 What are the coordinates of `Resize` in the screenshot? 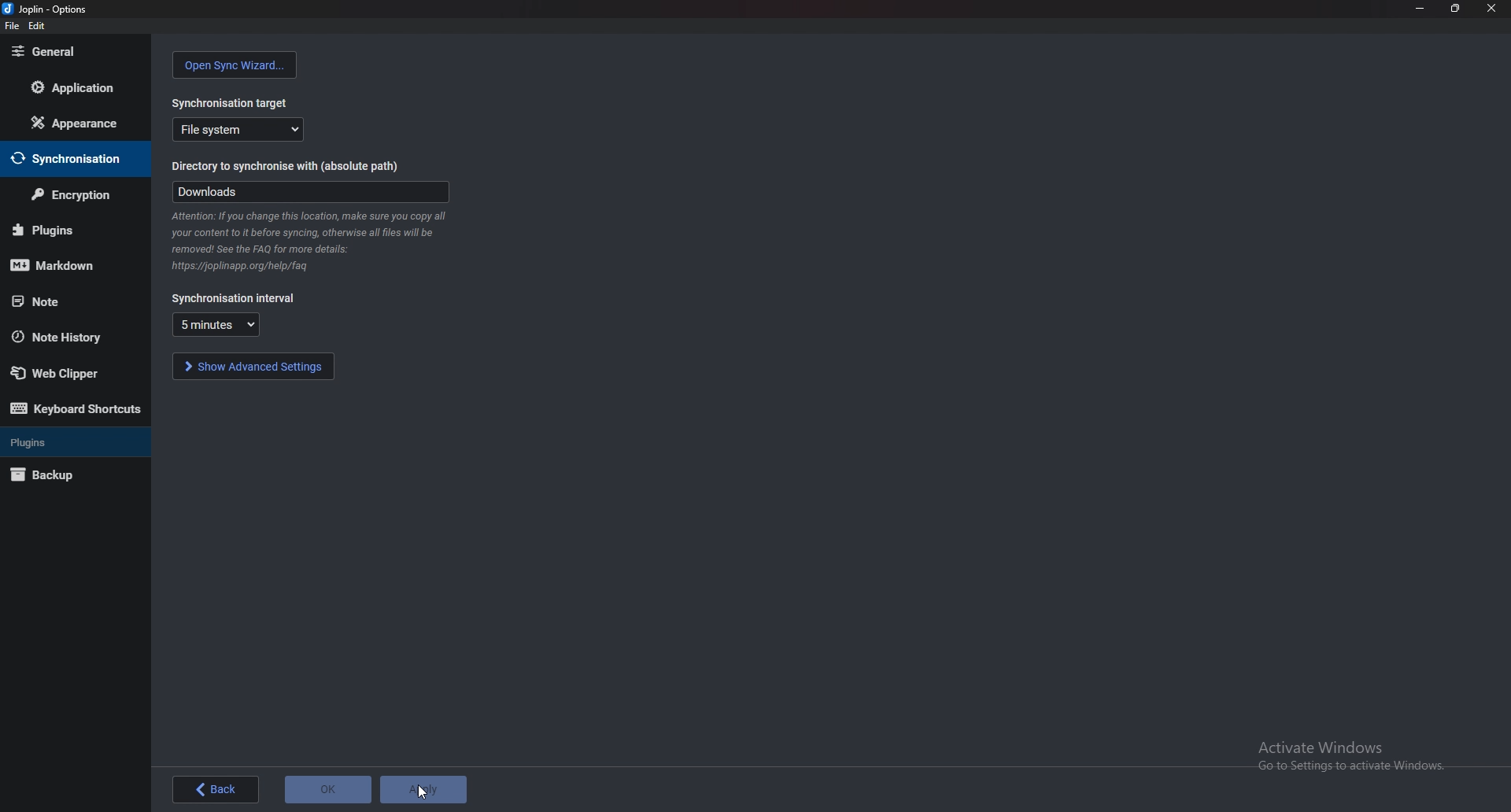 It's located at (1457, 9).